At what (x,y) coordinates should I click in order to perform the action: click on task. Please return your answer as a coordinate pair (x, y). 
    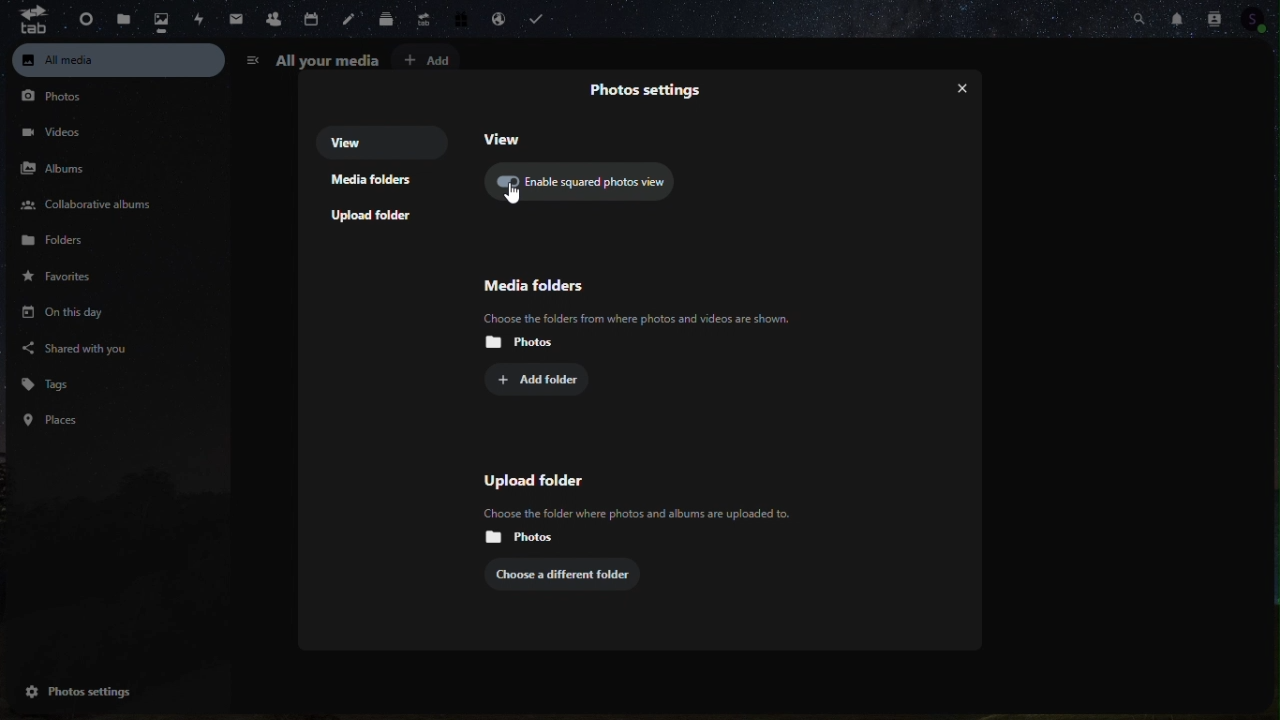
    Looking at the image, I should click on (544, 17).